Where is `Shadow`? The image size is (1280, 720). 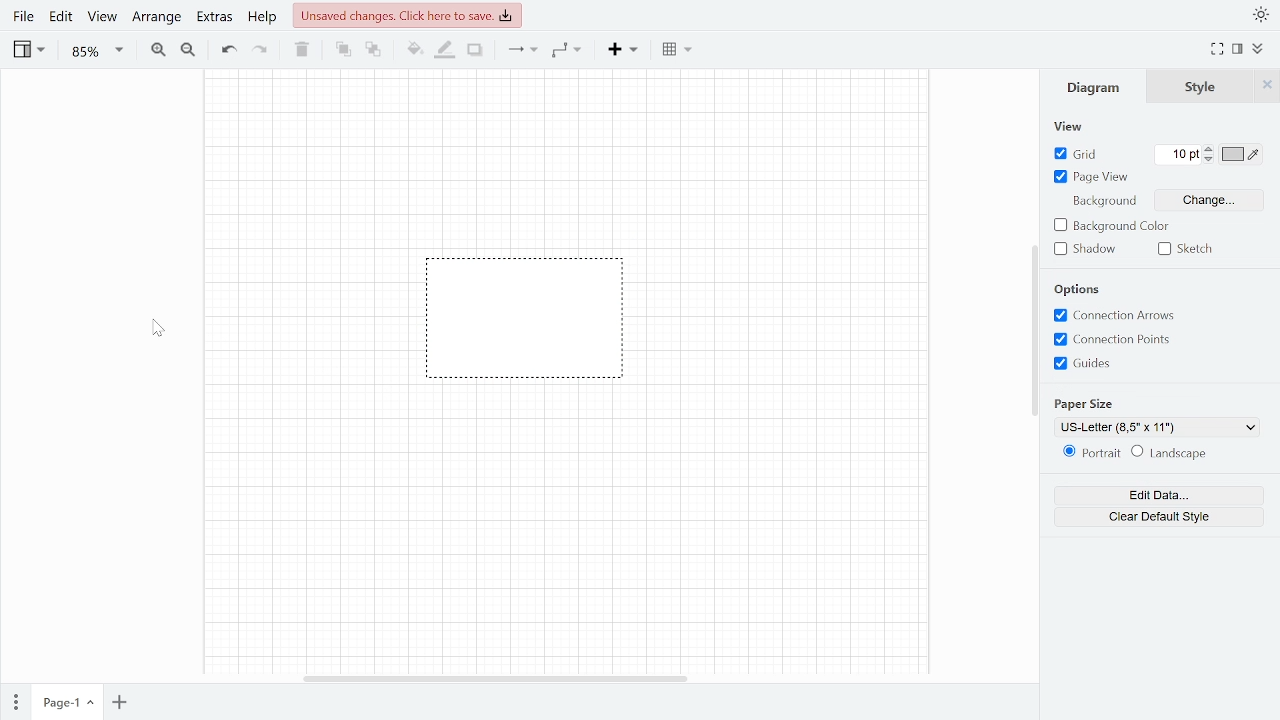 Shadow is located at coordinates (475, 50).